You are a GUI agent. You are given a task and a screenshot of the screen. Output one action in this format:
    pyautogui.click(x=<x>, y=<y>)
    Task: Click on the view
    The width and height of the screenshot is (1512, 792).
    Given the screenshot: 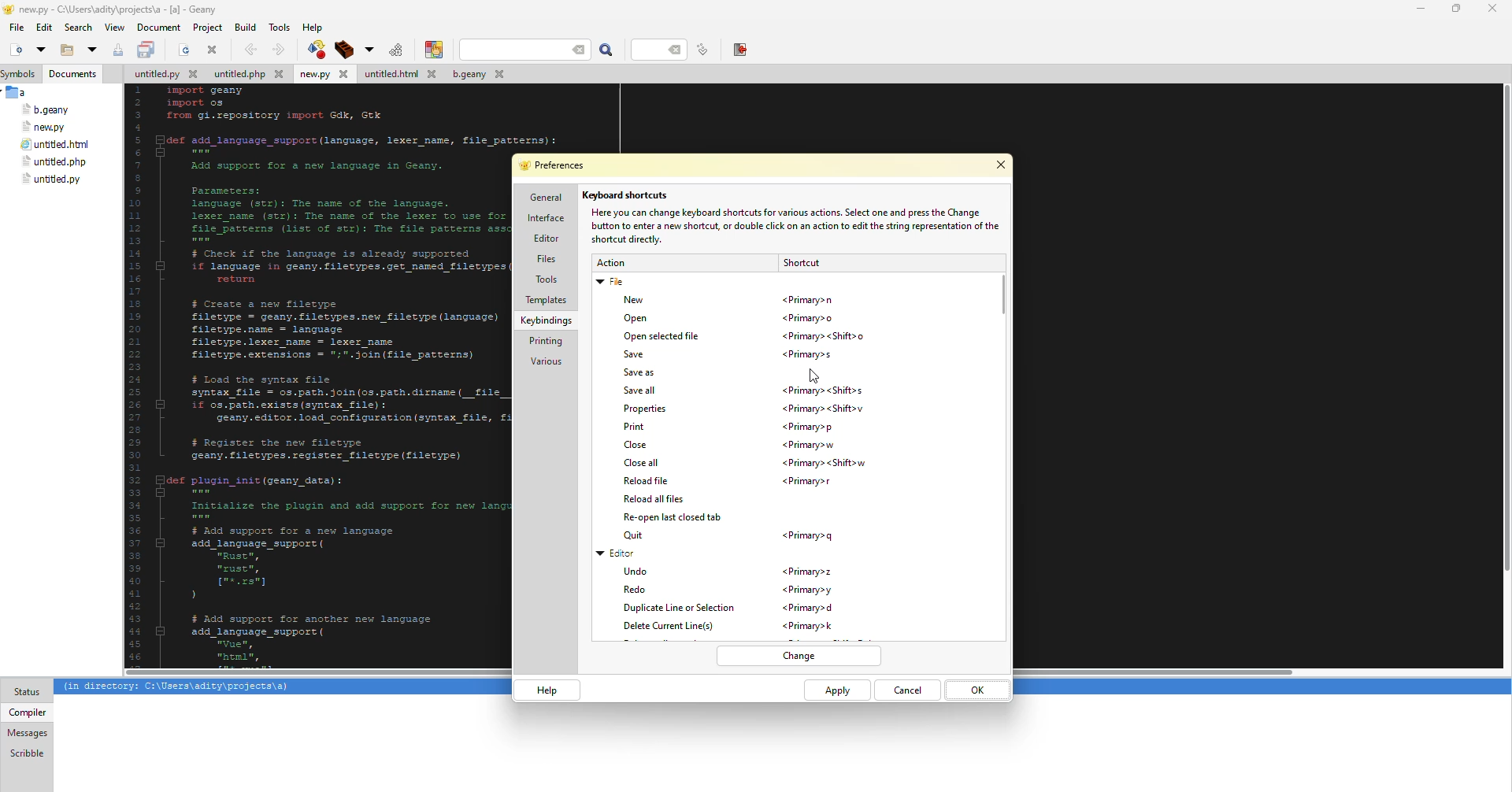 What is the action you would take?
    pyautogui.click(x=114, y=28)
    